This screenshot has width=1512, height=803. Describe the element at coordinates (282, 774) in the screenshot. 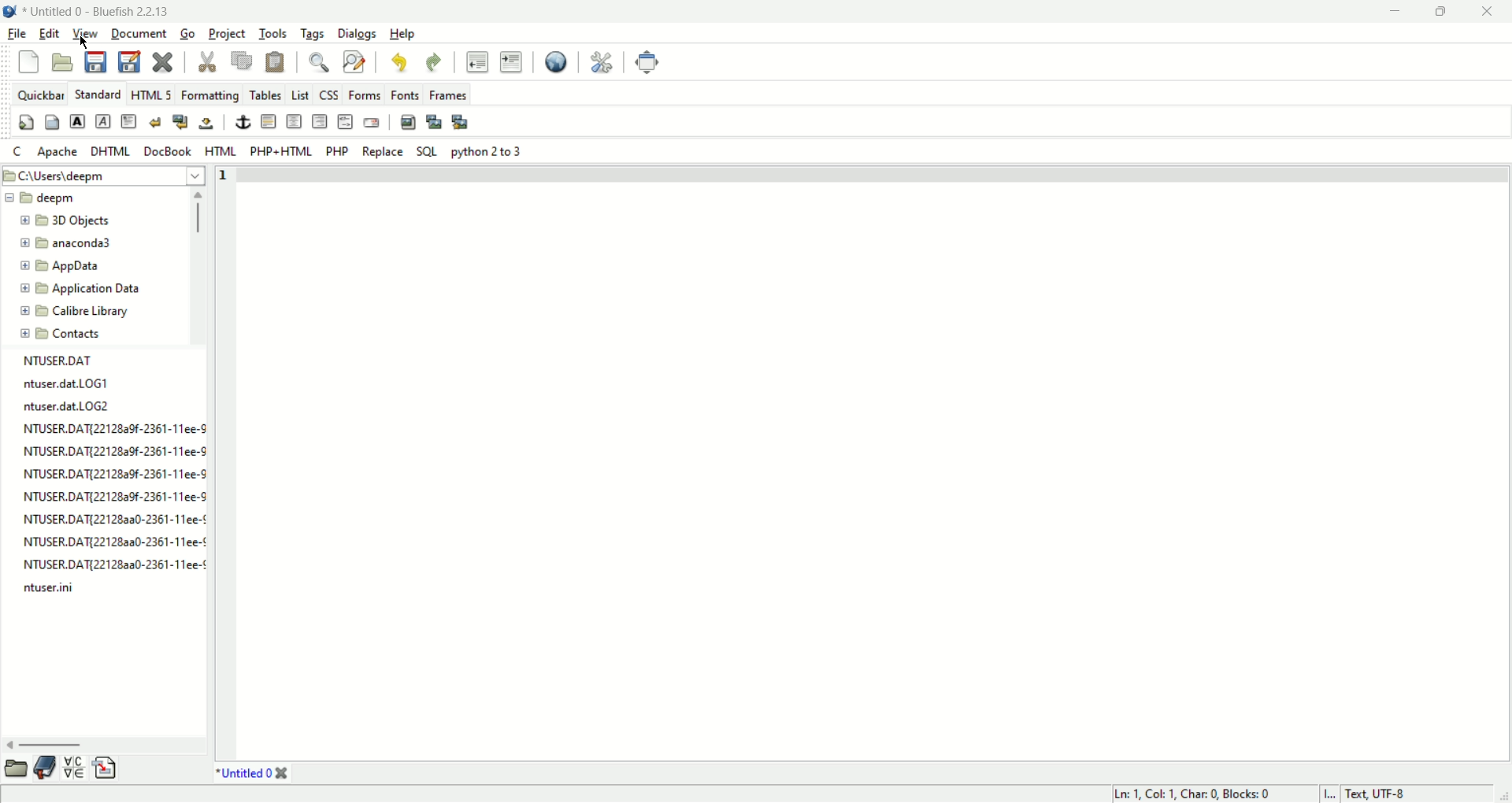

I see `close` at that location.